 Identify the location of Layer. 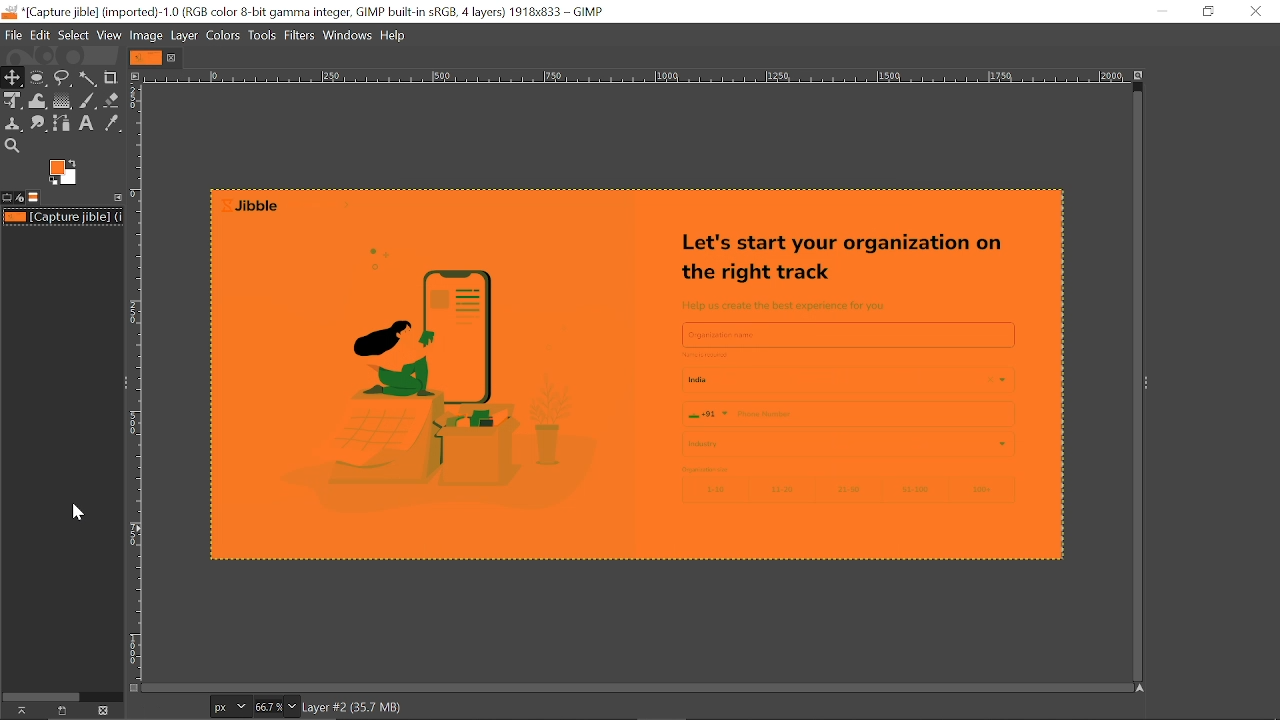
(186, 34).